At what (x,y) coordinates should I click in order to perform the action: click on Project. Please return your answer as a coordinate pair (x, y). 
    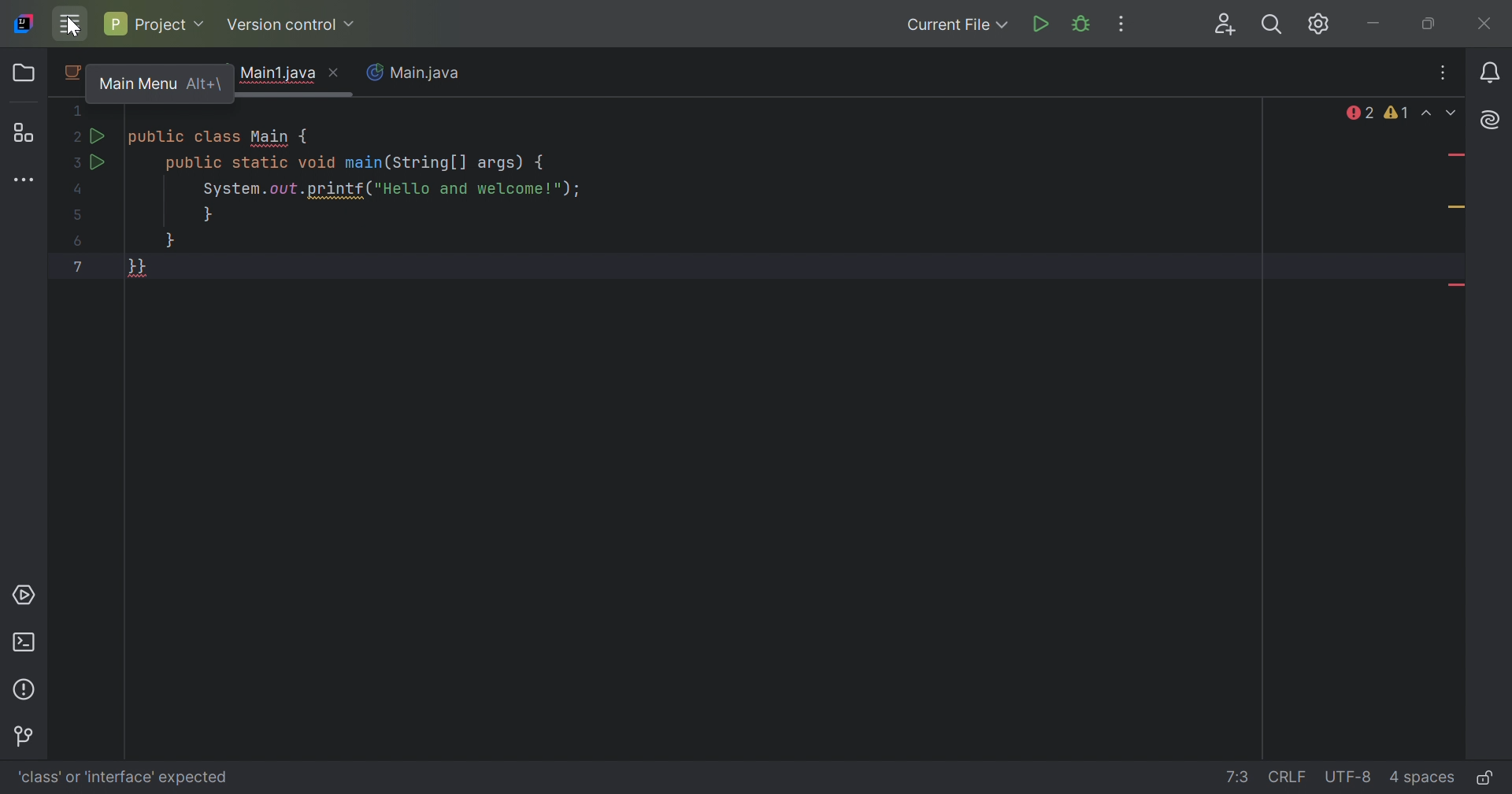
    Looking at the image, I should click on (157, 25).